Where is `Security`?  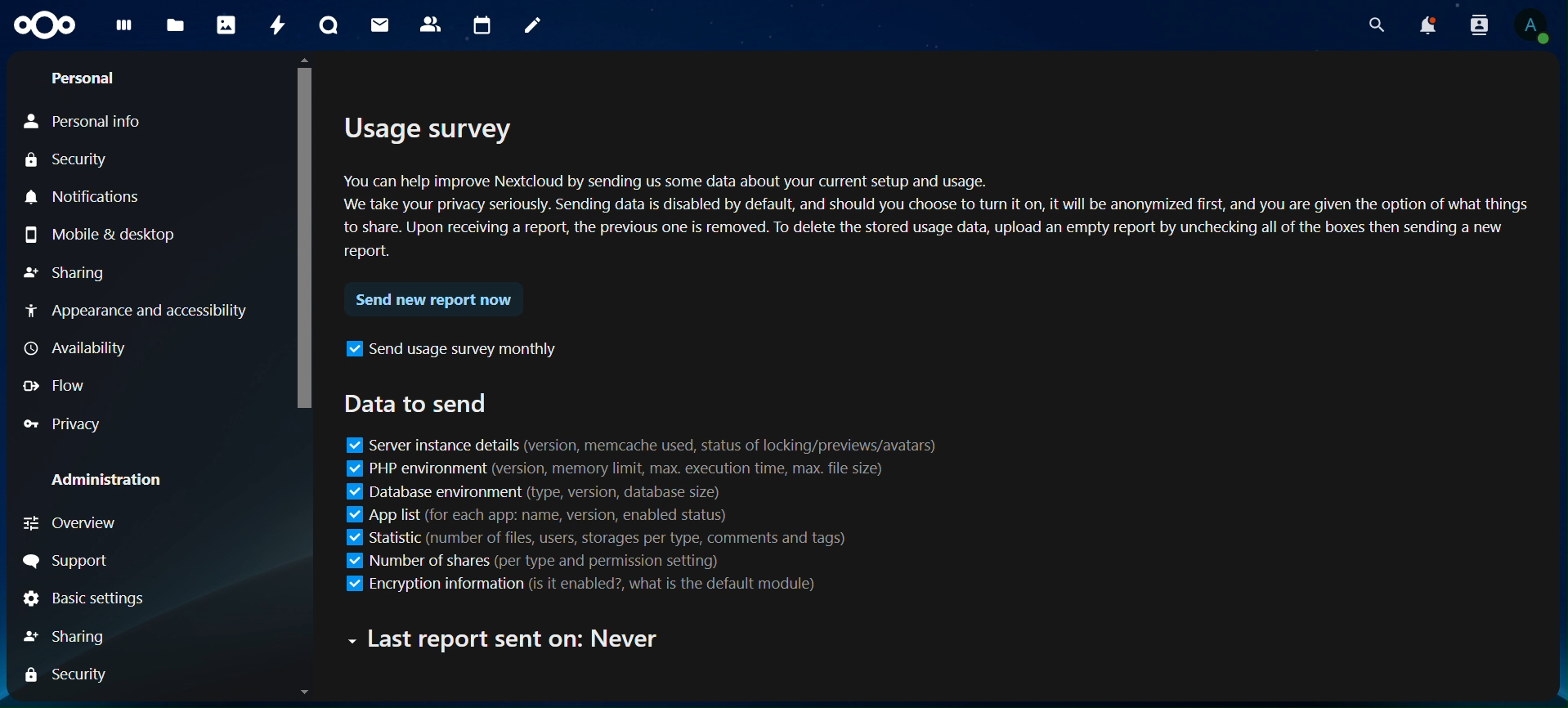
Security is located at coordinates (68, 161).